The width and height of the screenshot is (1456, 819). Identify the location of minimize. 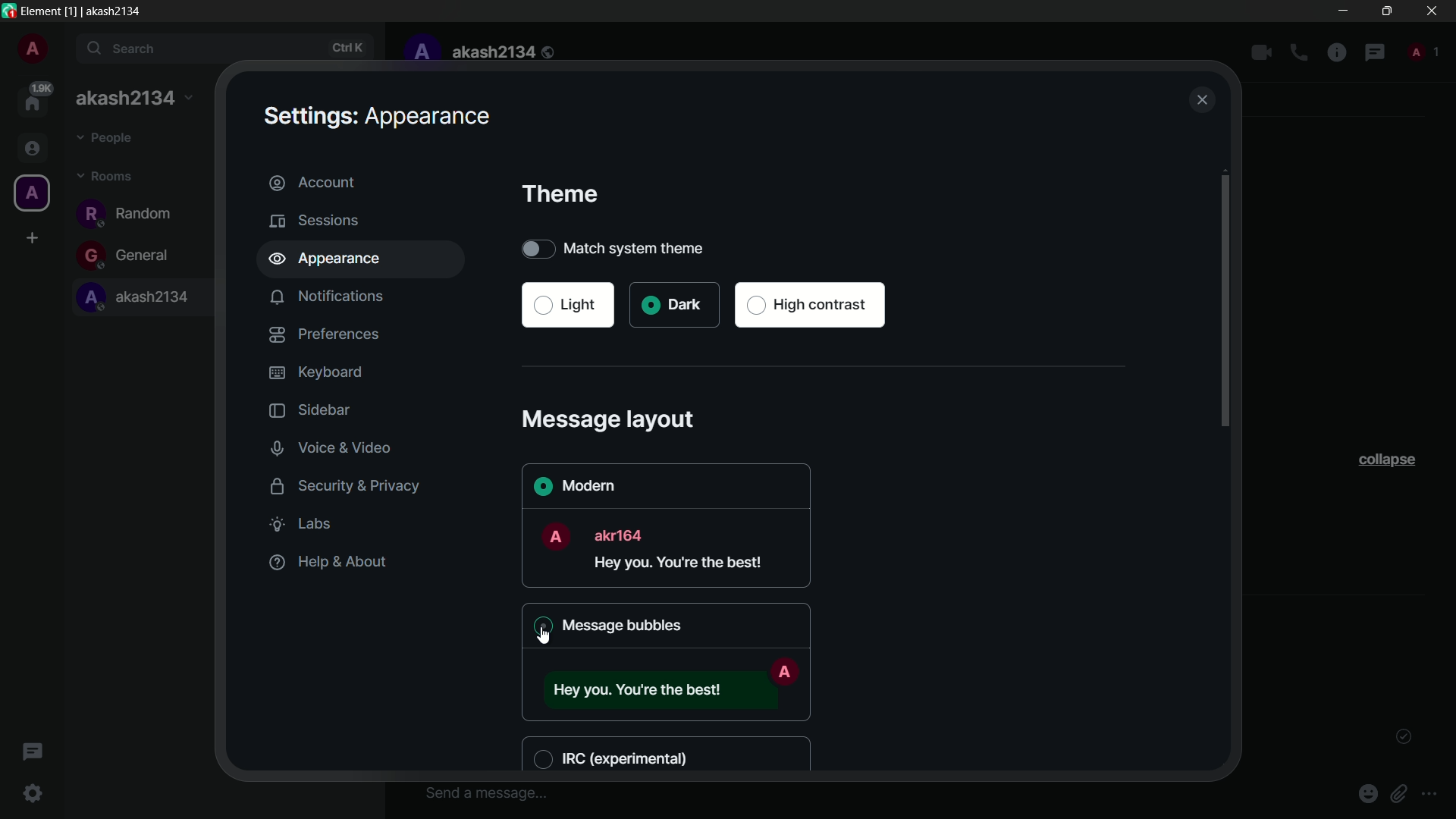
(1345, 11).